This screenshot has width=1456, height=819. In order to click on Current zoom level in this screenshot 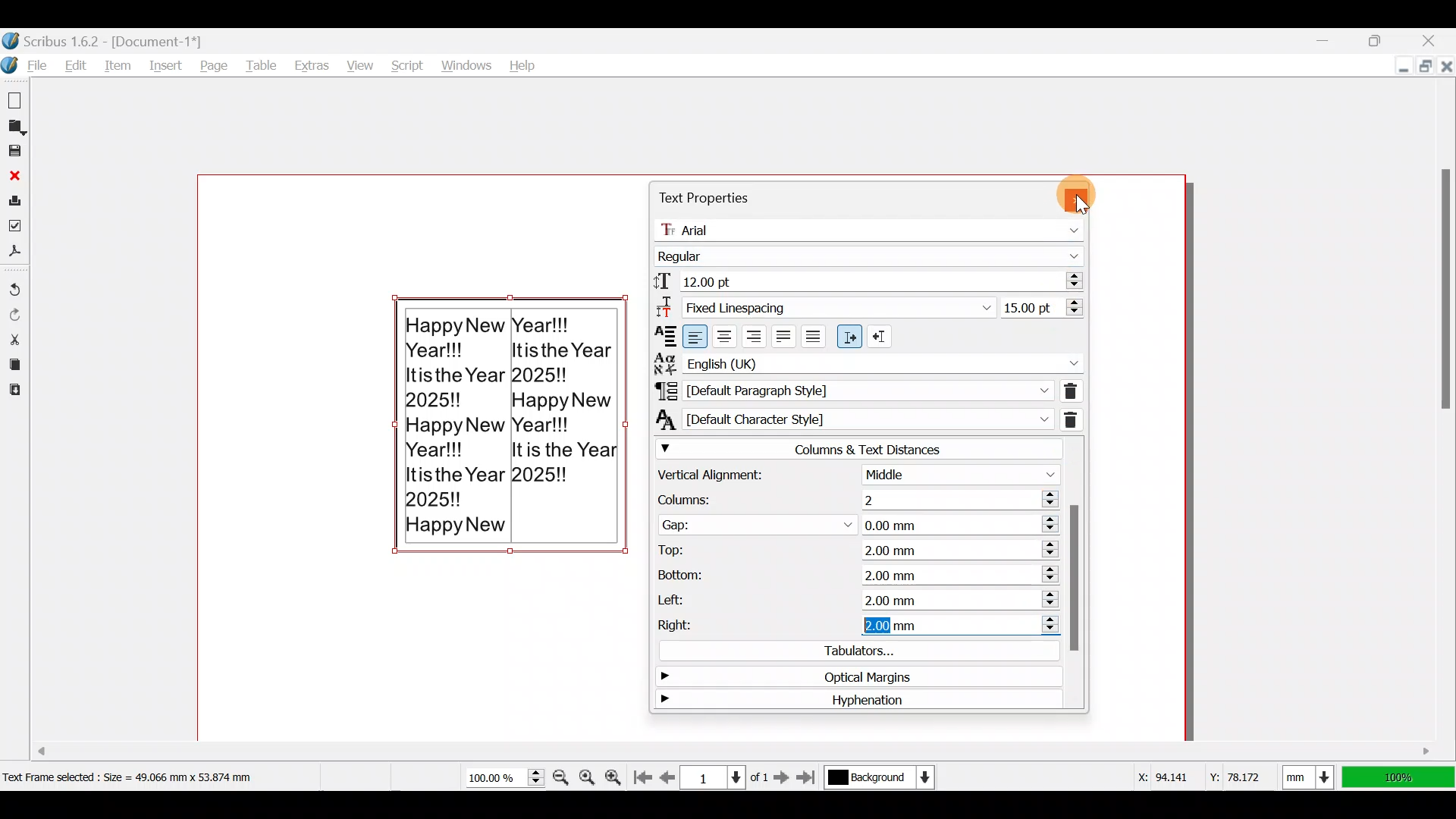, I will do `click(504, 778)`.